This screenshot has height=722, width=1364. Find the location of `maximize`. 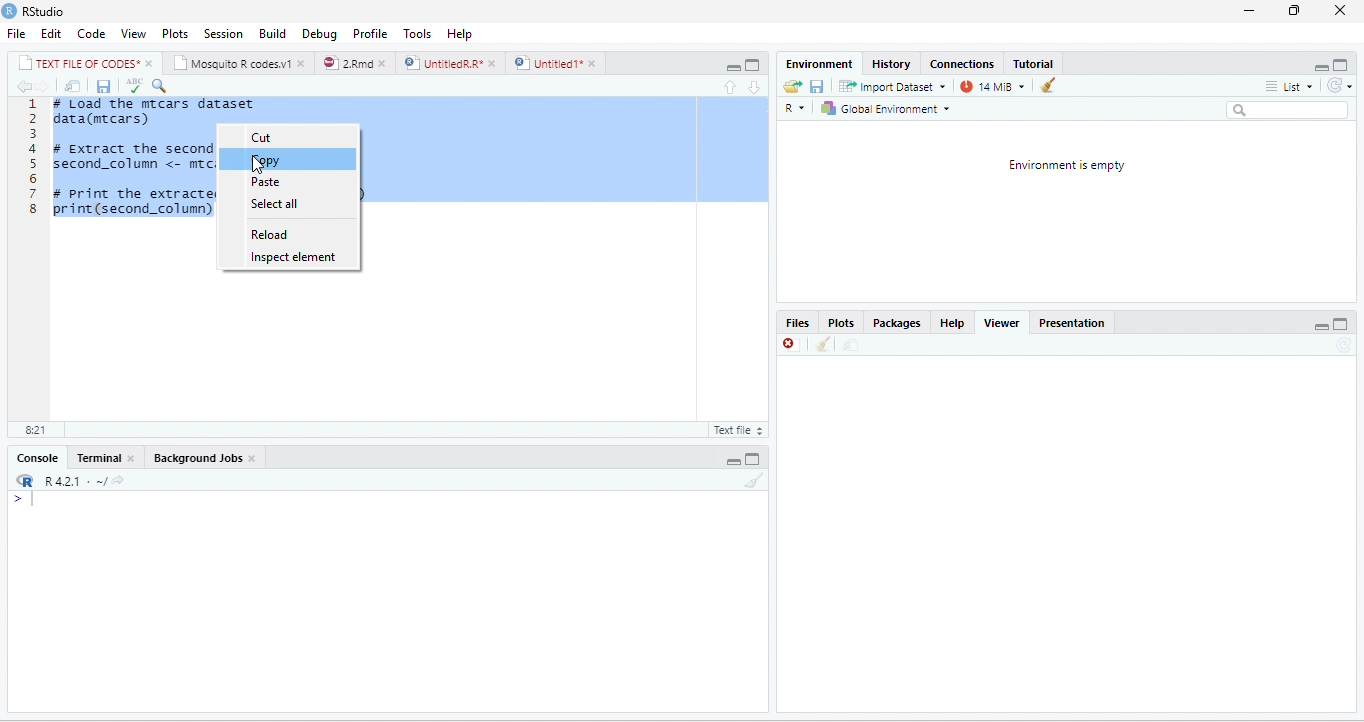

maximize is located at coordinates (735, 64).